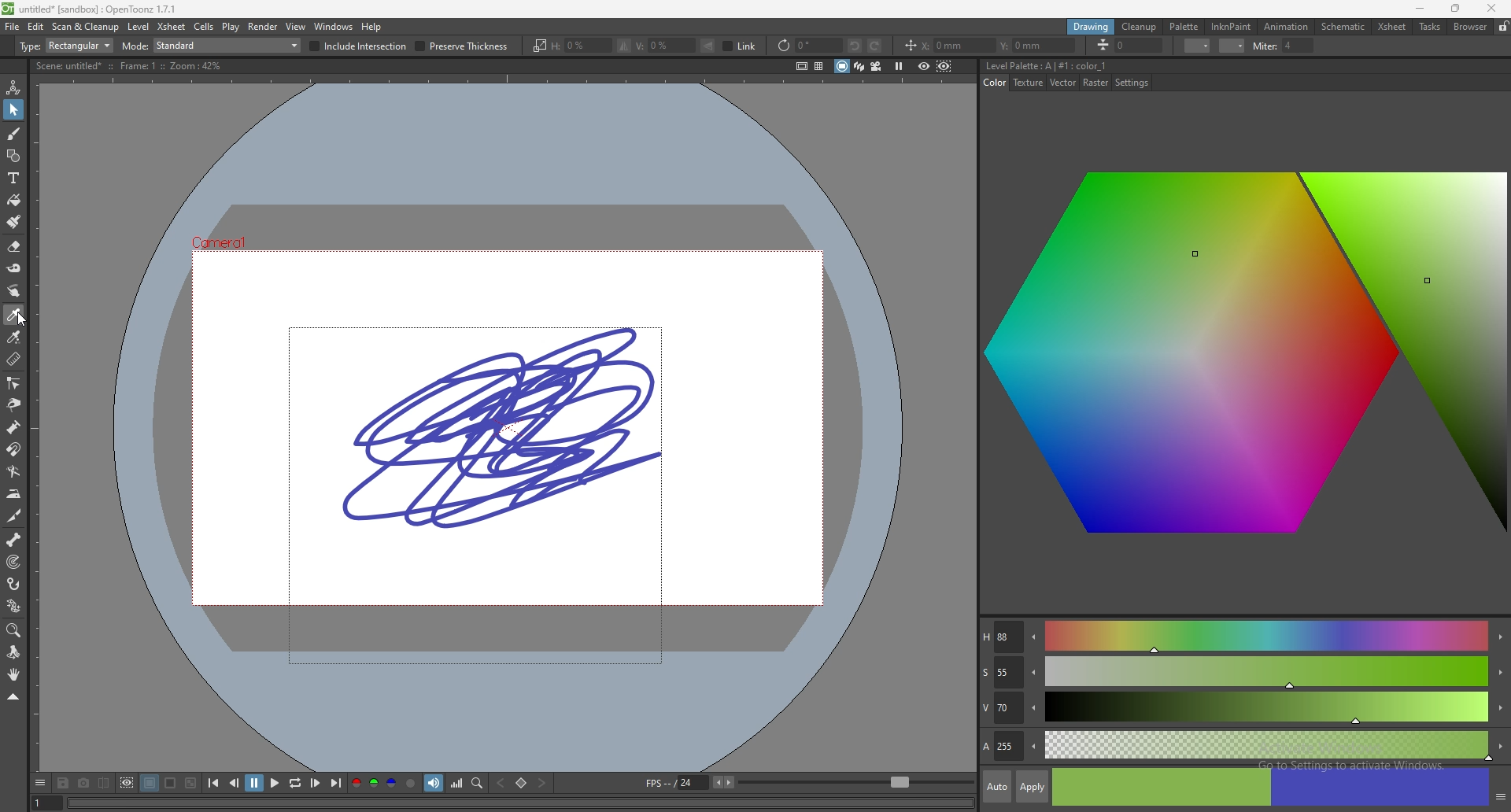  I want to click on safe area, so click(801, 65).